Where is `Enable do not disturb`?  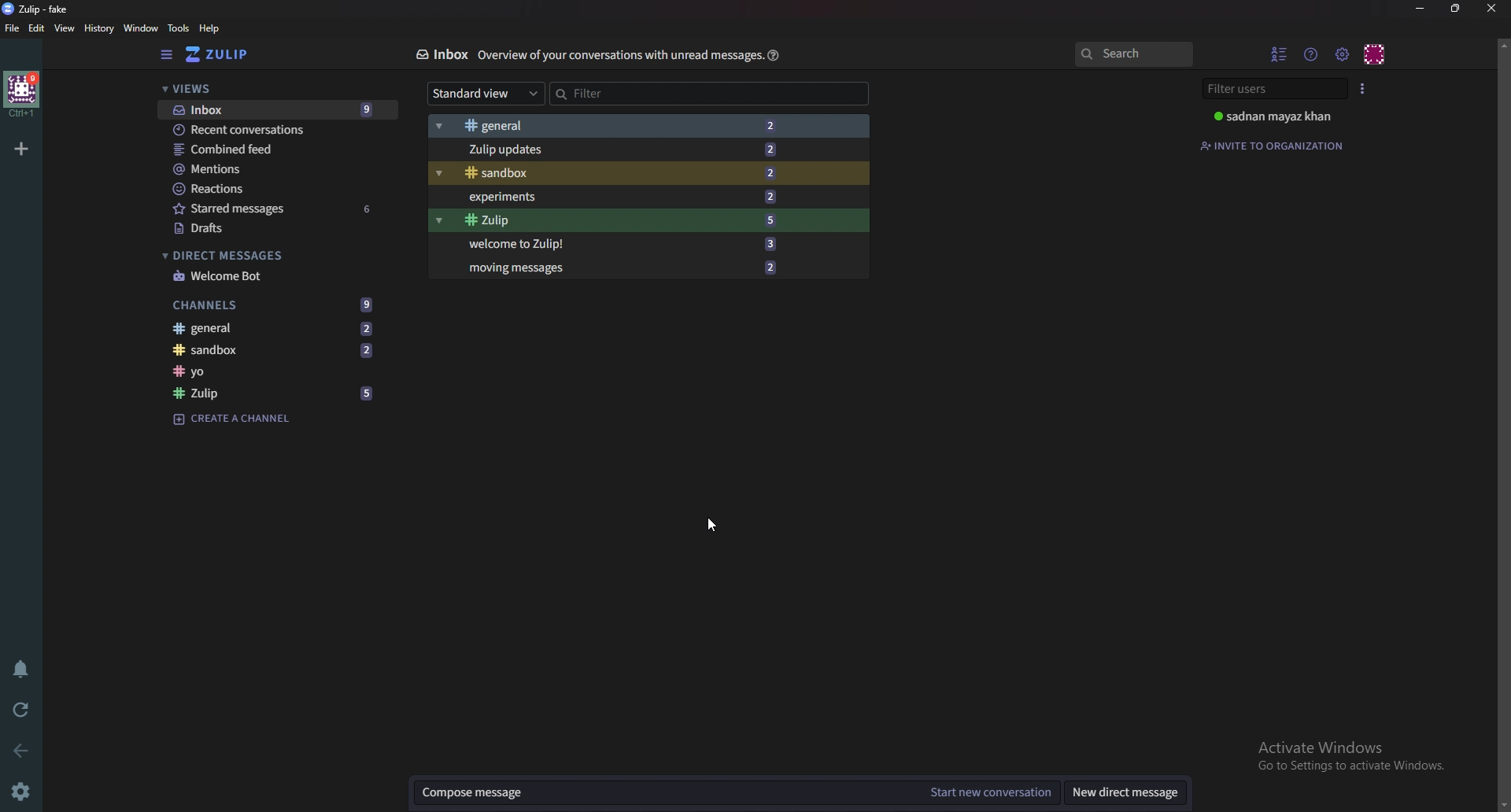
Enable do not disturb is located at coordinates (20, 670).